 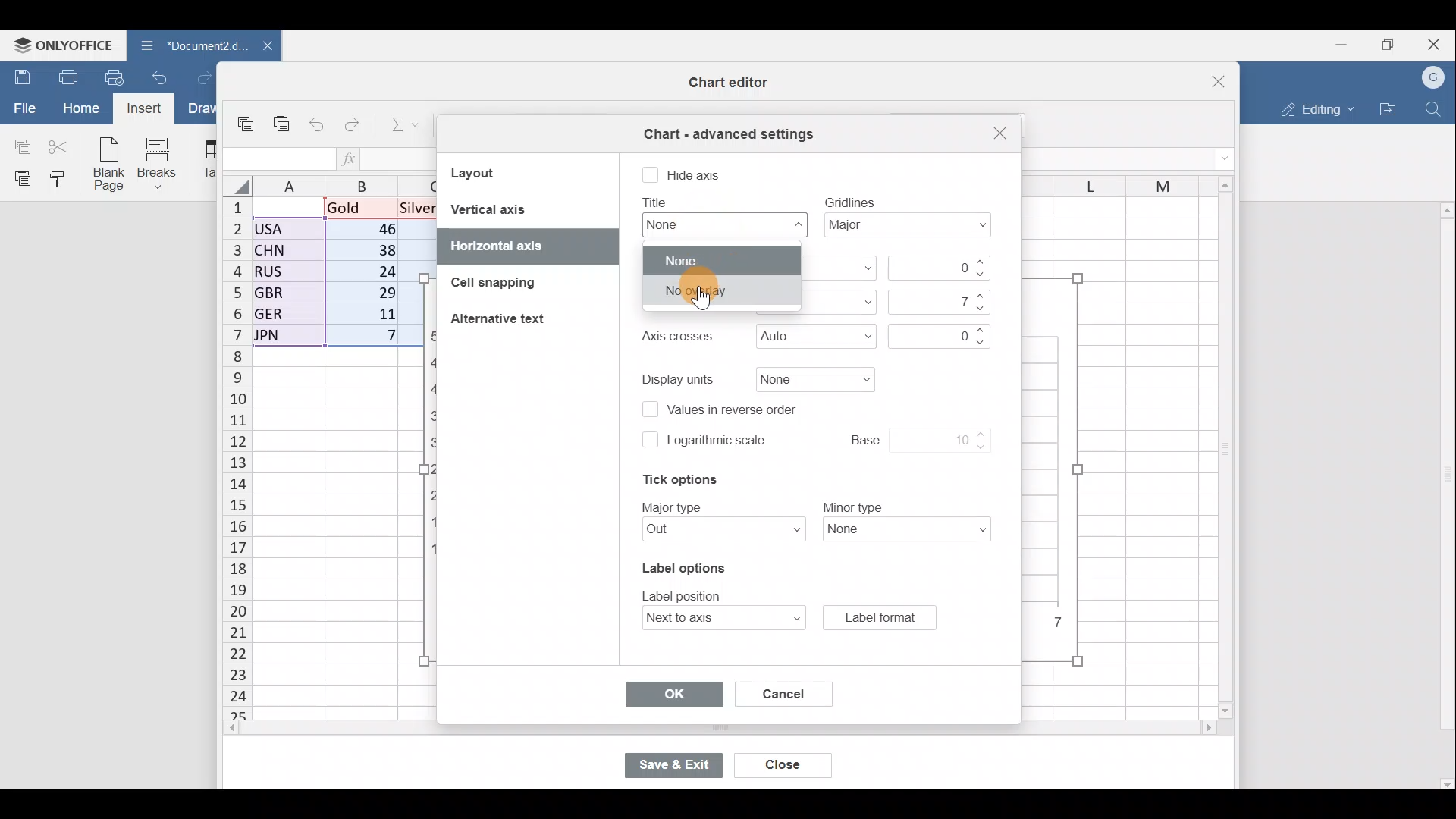 I want to click on Account name, so click(x=1435, y=76).